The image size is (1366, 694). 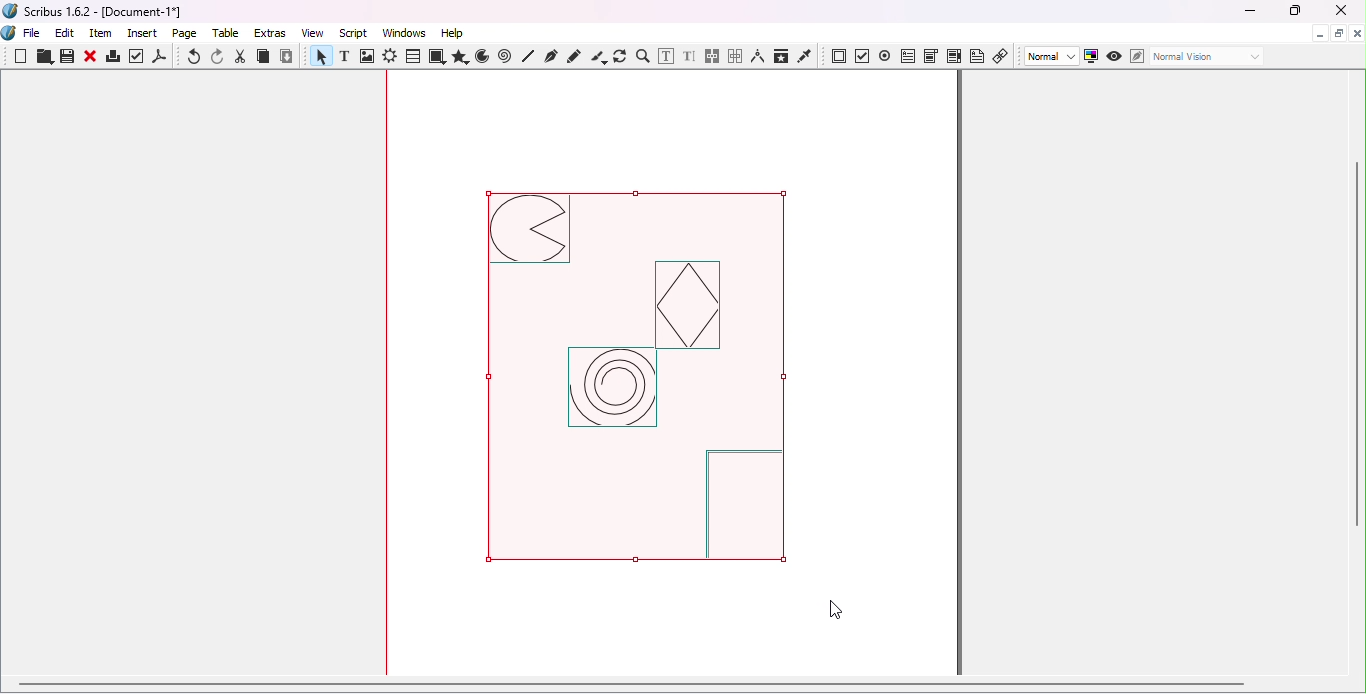 What do you see at coordinates (1293, 11) in the screenshot?
I see `Maximize` at bounding box center [1293, 11].